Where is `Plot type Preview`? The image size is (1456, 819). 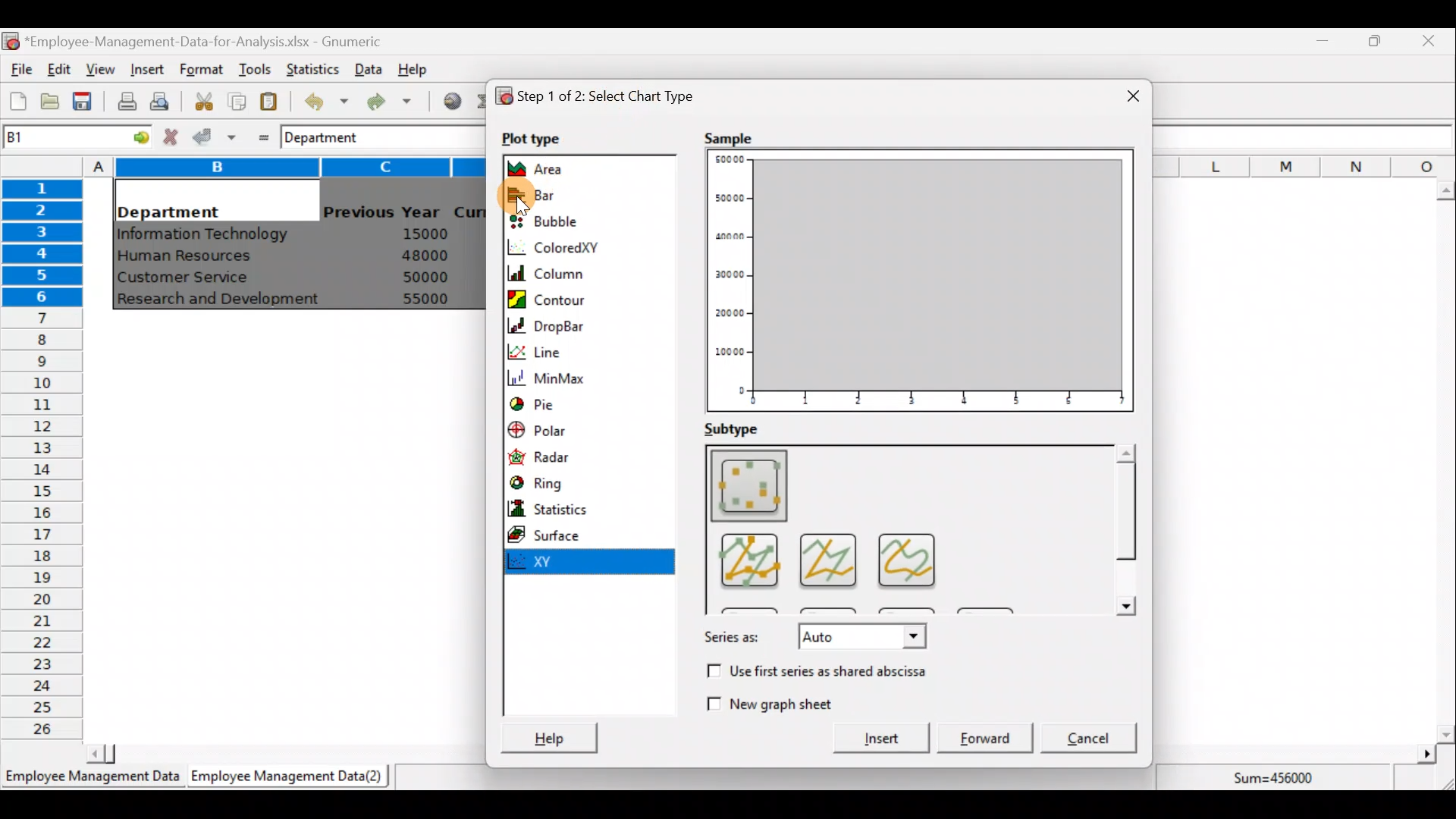 Plot type Preview is located at coordinates (918, 281).